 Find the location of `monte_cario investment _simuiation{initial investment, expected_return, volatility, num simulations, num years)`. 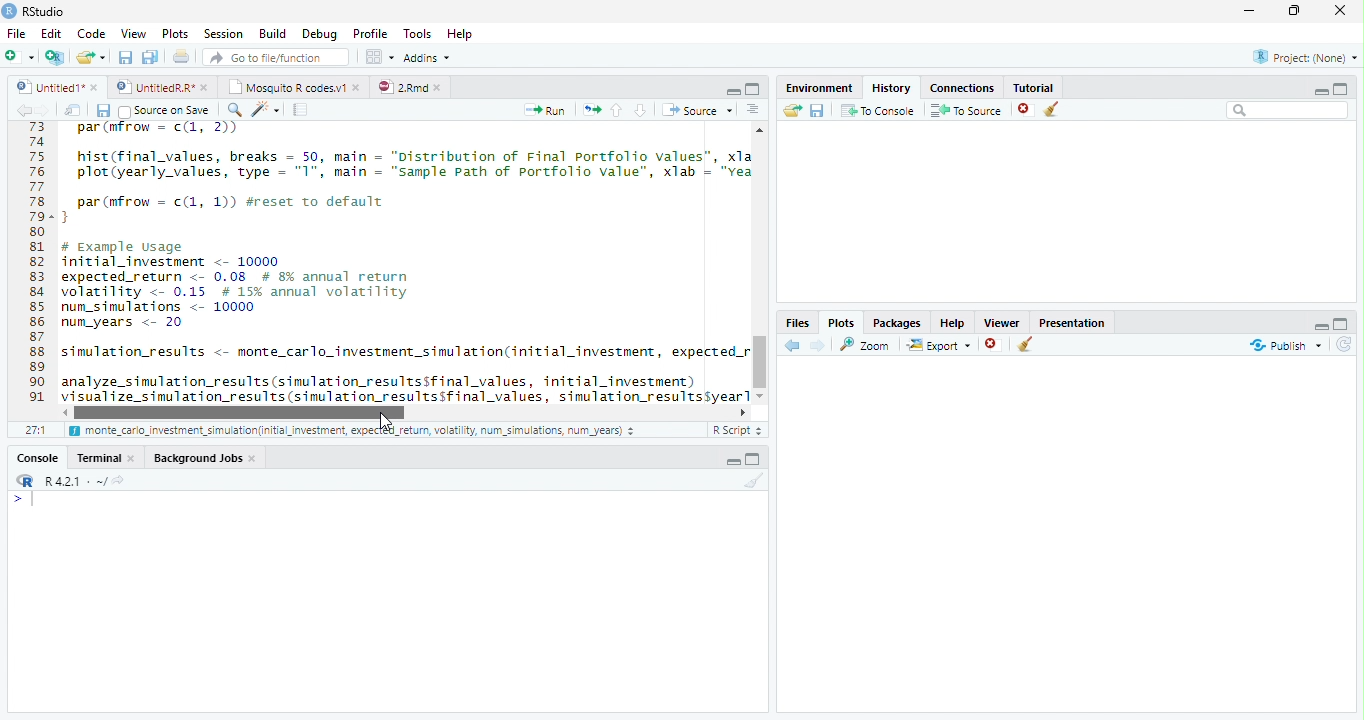

monte_cario investment _simuiation{initial investment, expected_return, volatility, num simulations, num years) is located at coordinates (354, 432).